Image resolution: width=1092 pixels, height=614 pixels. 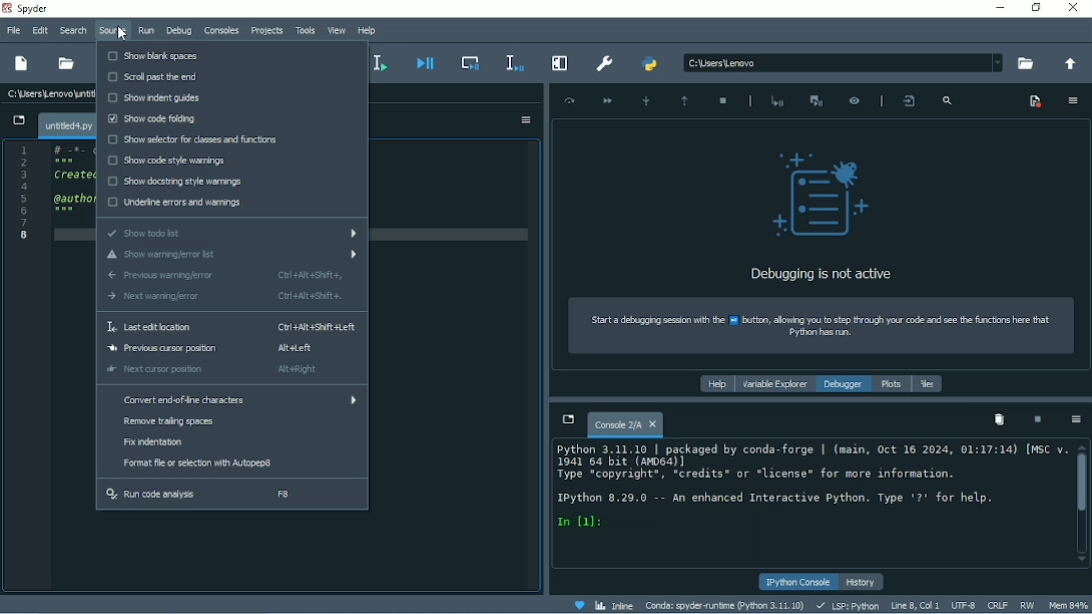 I want to click on Edit, so click(x=40, y=30).